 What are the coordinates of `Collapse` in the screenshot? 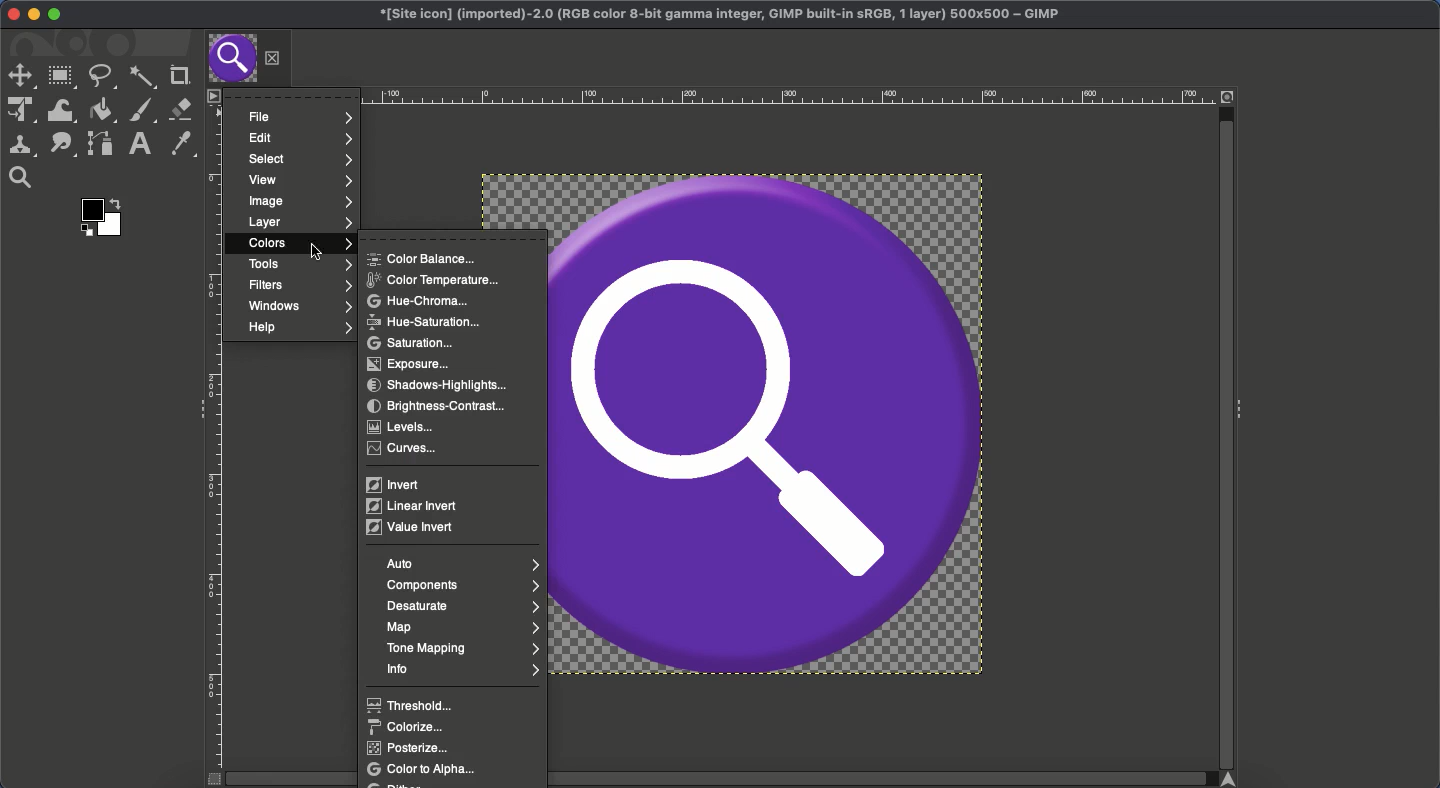 It's located at (1245, 411).